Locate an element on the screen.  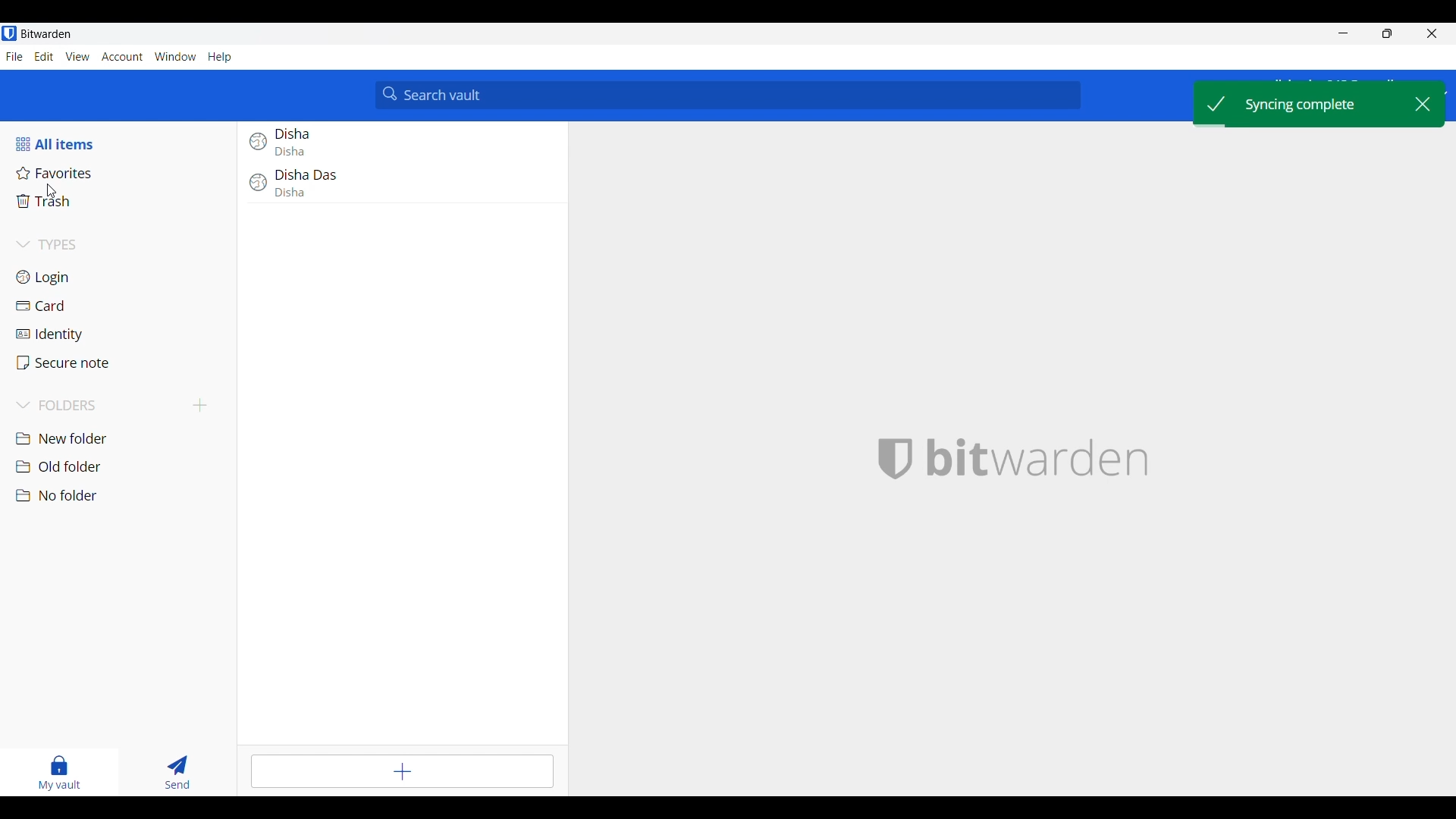
Software name is located at coordinates (46, 33).